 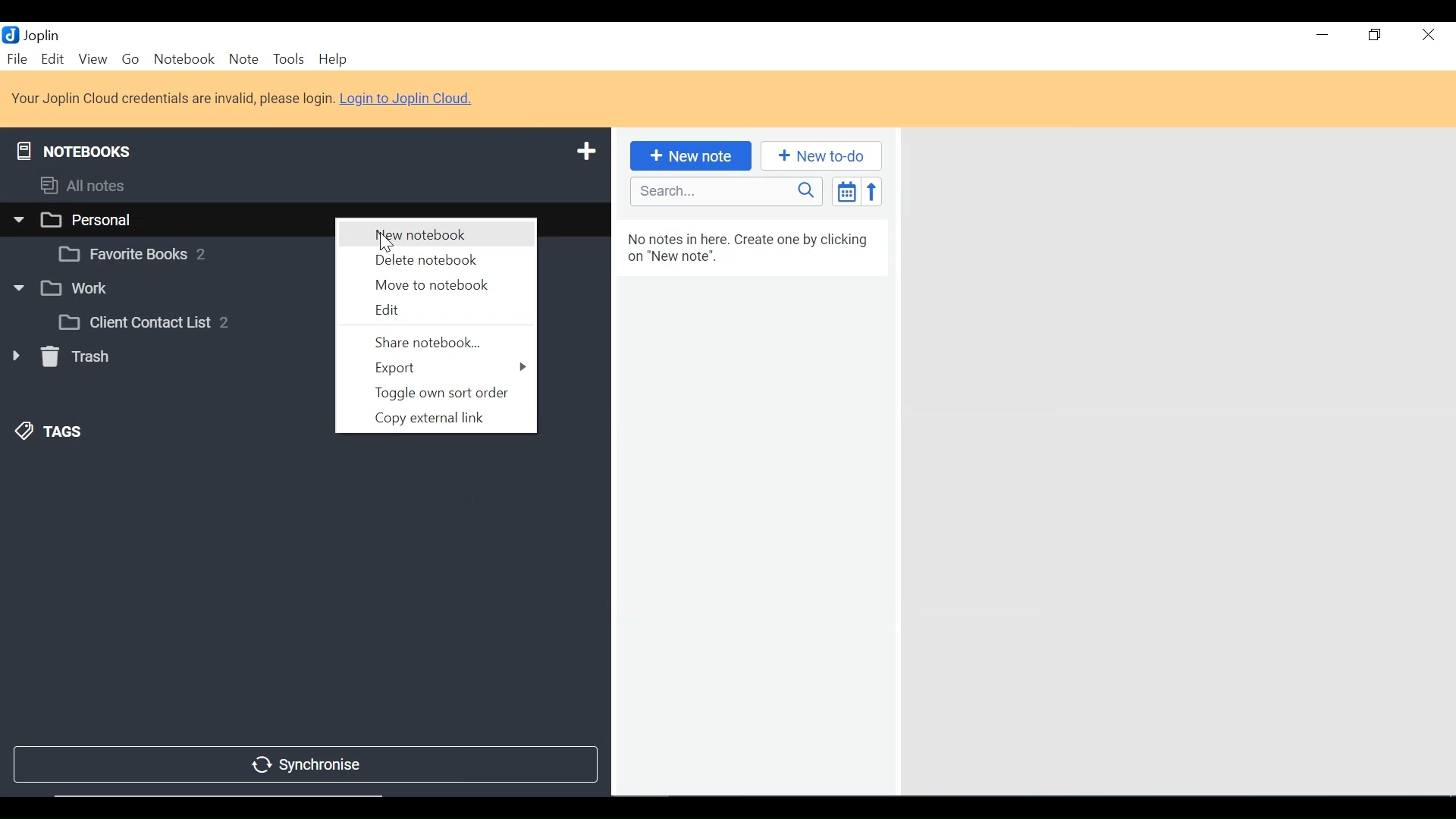 I want to click on Notebooks and Tags Display, so click(x=303, y=185).